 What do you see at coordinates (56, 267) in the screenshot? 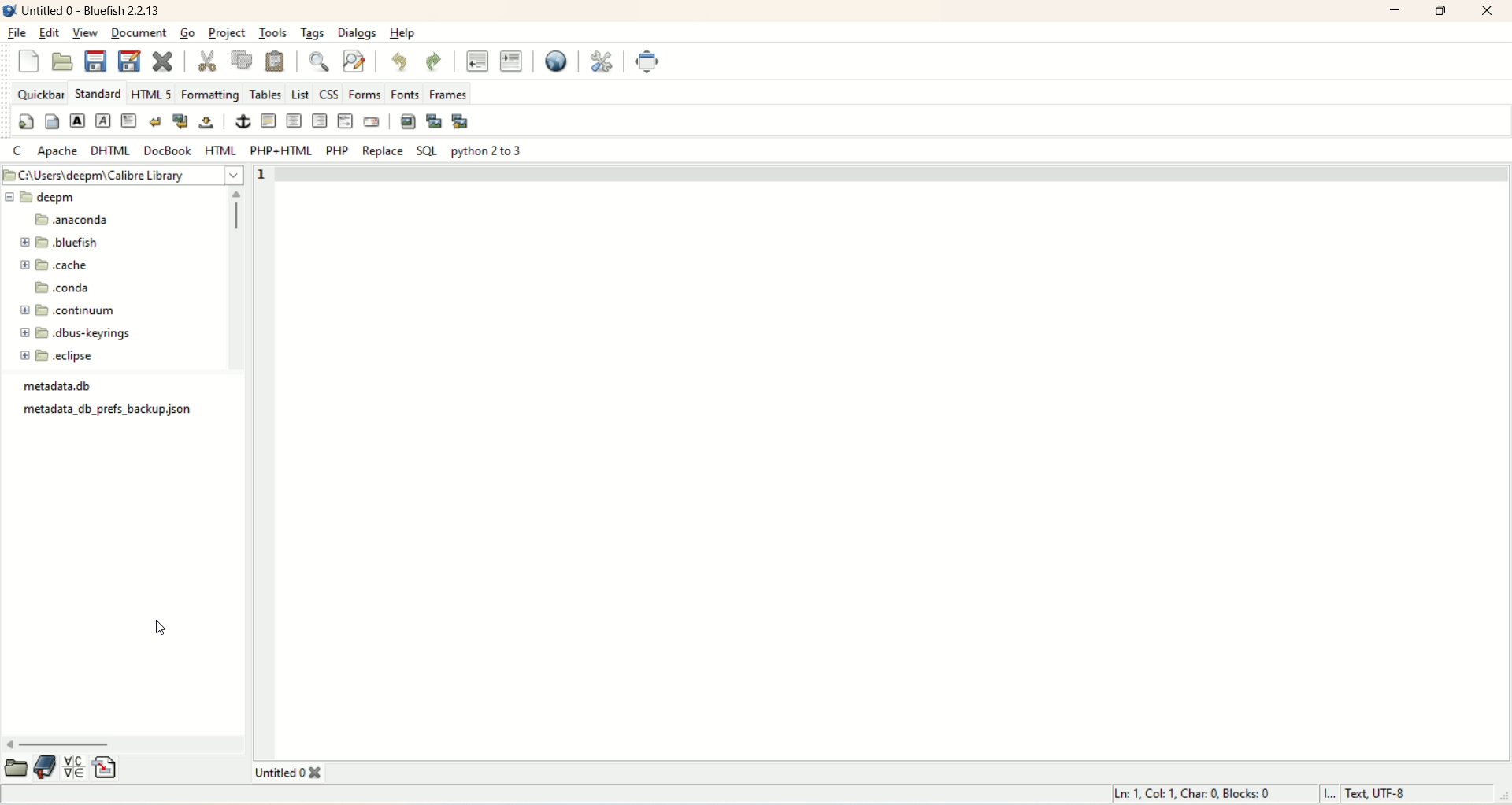
I see `cache` at bounding box center [56, 267].